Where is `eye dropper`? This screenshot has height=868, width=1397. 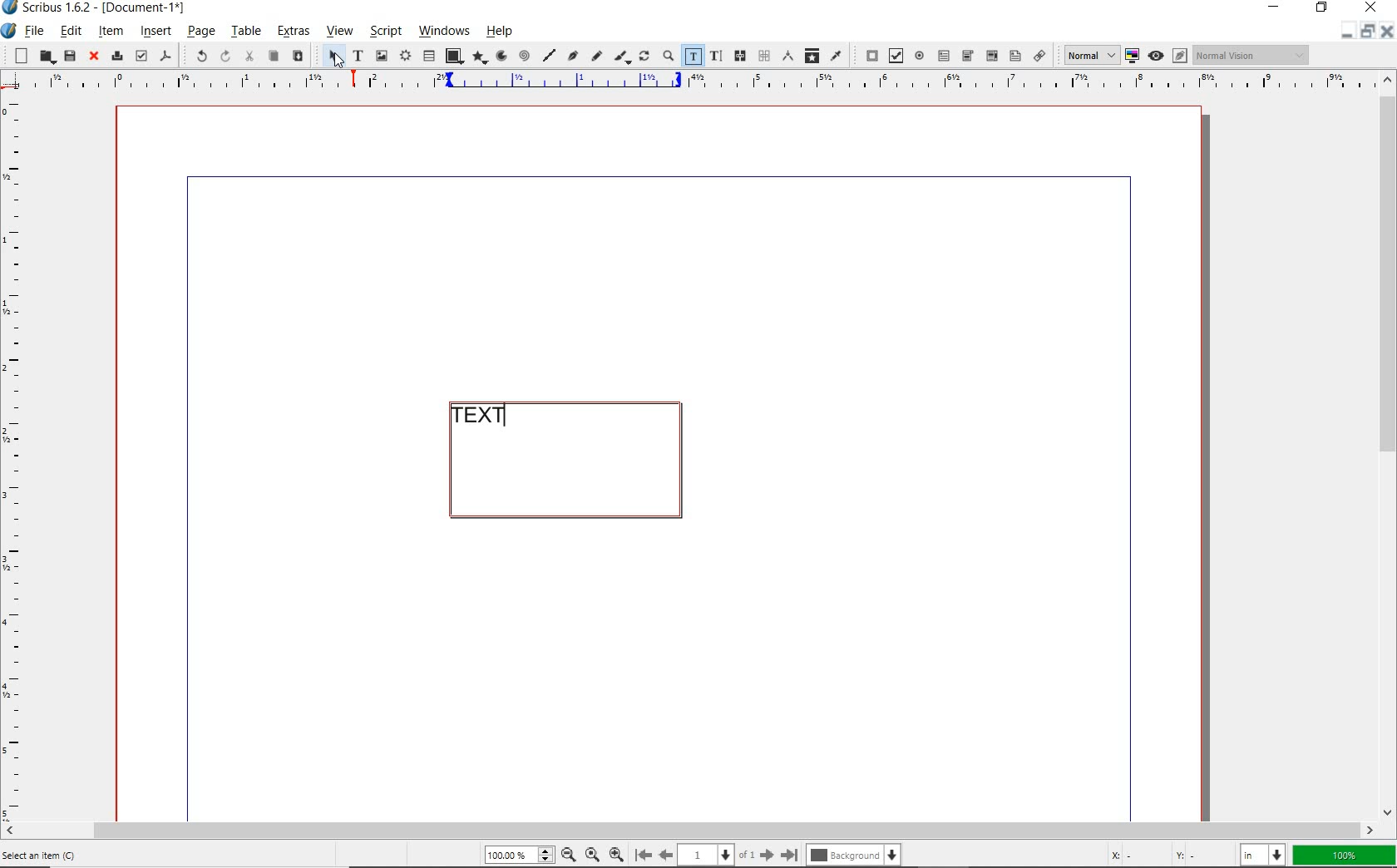
eye dropper is located at coordinates (836, 55).